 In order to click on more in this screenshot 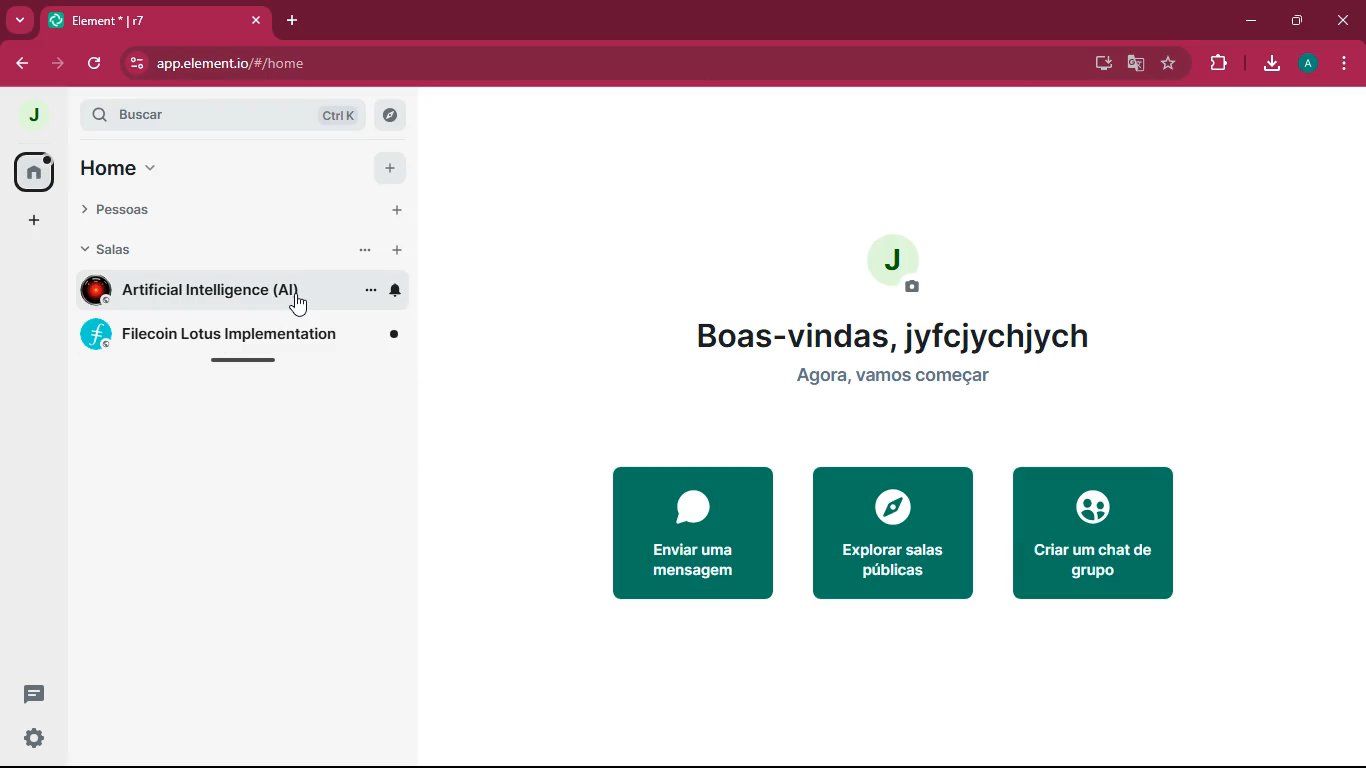, I will do `click(363, 251)`.